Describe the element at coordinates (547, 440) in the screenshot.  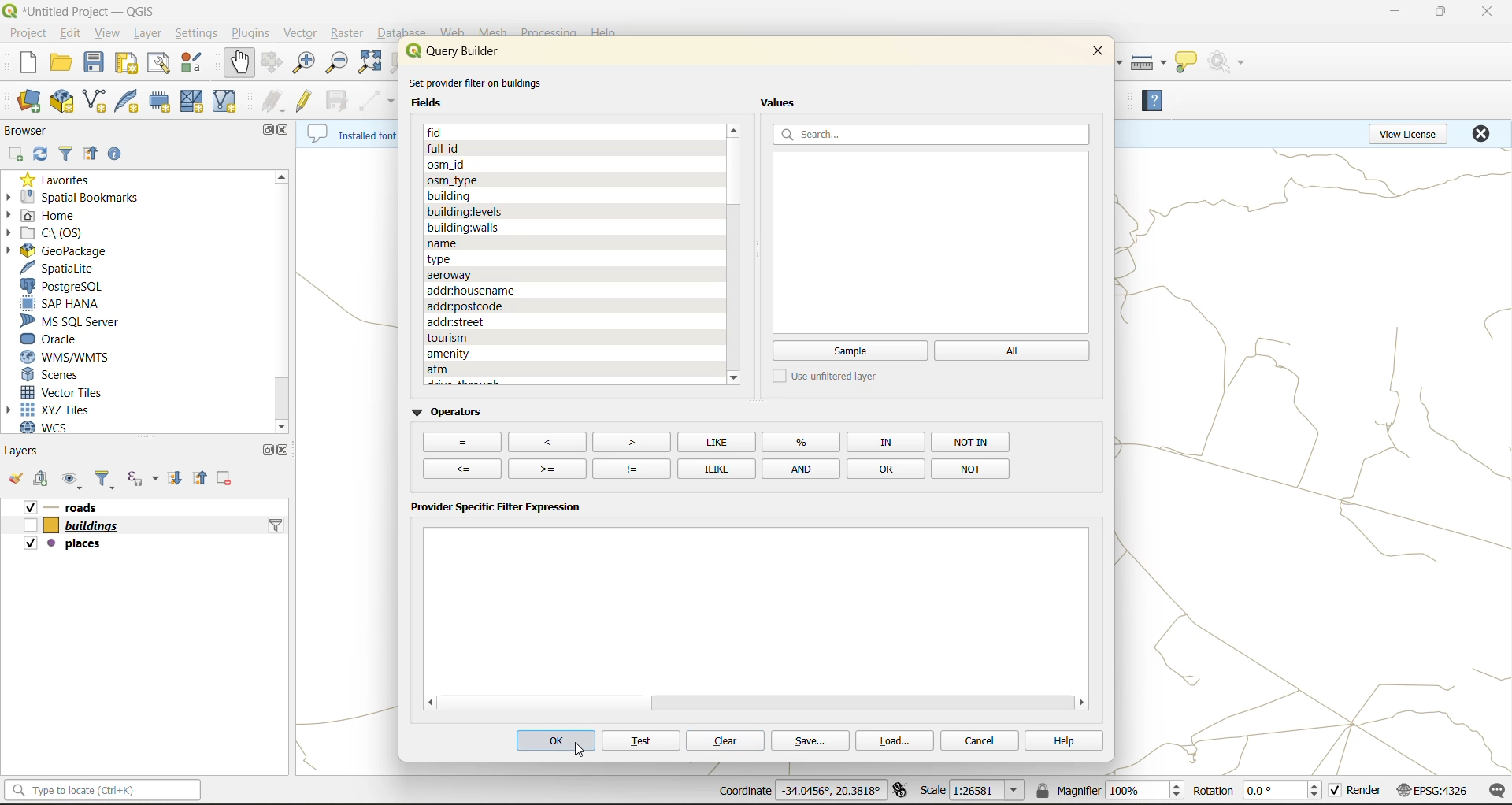
I see `opertators` at that location.